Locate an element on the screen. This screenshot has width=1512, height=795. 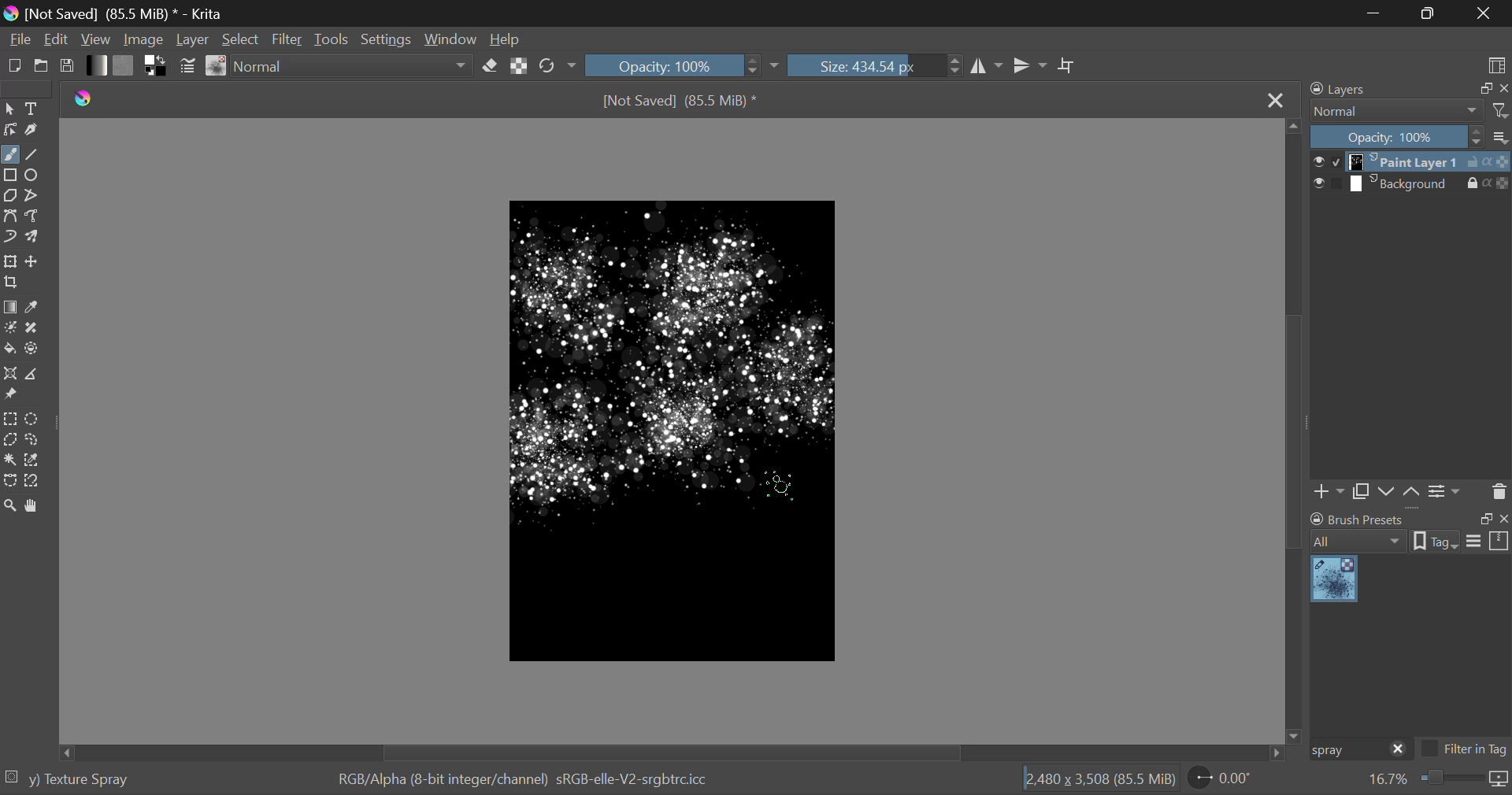
restore is located at coordinates (1483, 89).